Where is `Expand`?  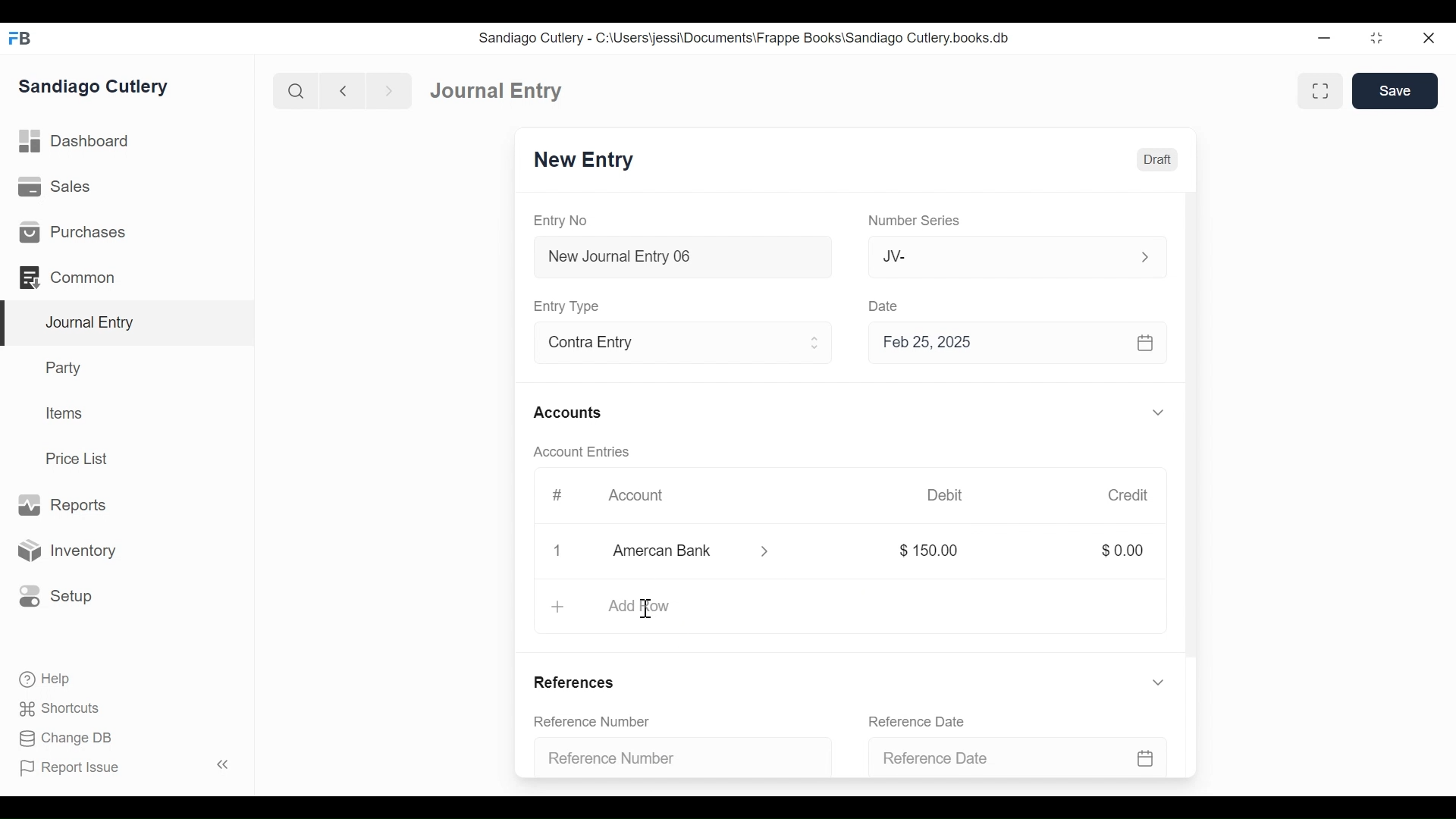
Expand is located at coordinates (1158, 682).